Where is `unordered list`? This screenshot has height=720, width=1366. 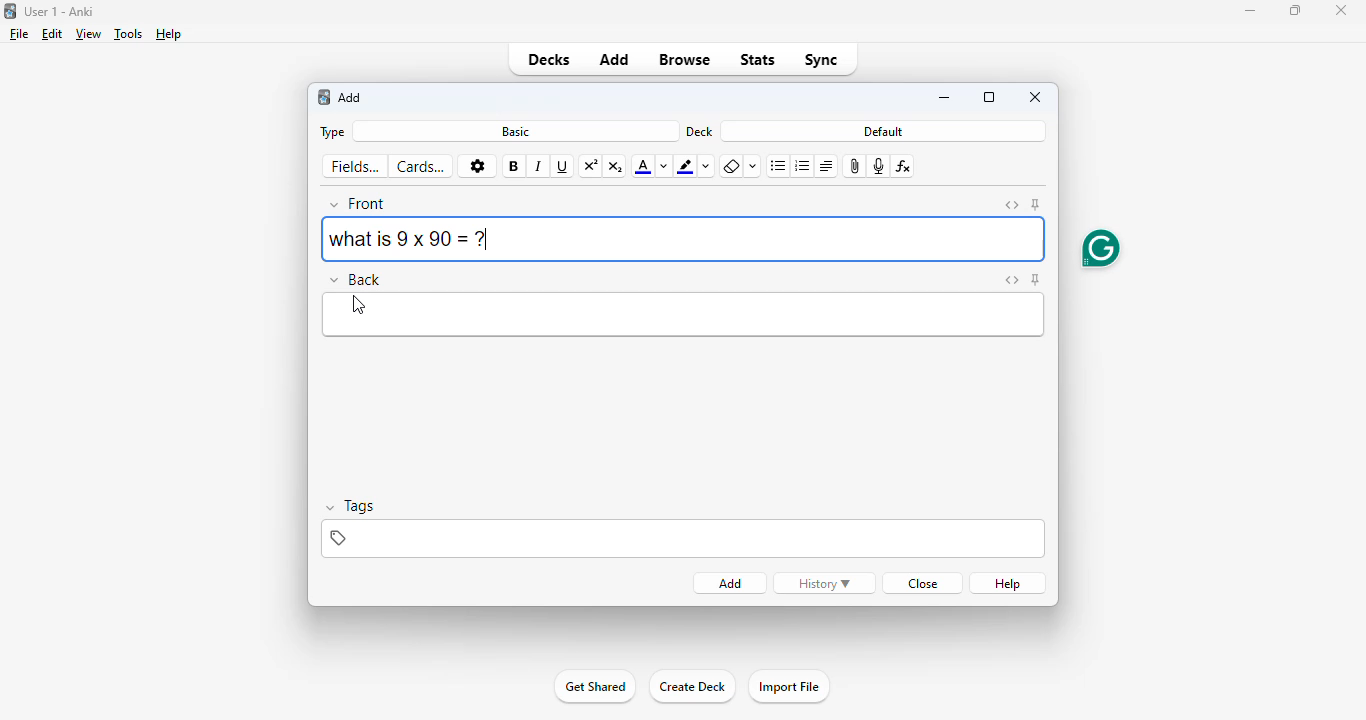
unordered list is located at coordinates (779, 167).